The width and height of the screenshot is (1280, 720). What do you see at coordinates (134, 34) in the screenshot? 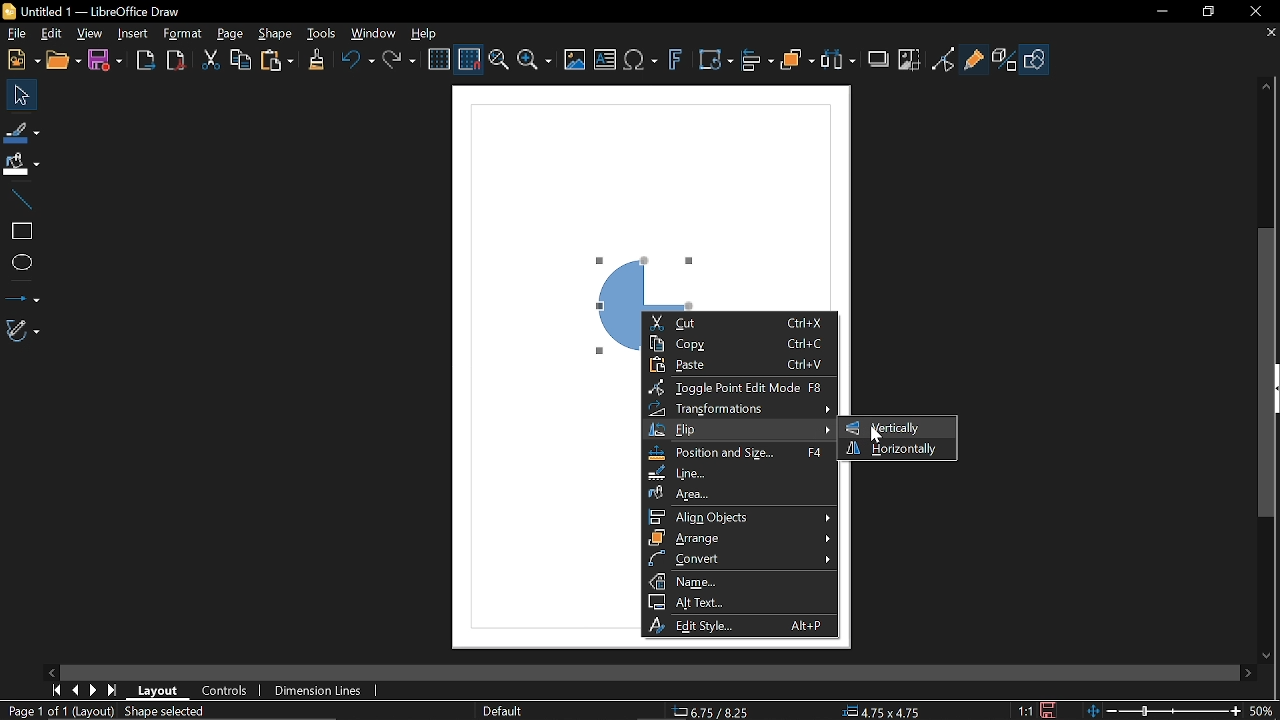
I see `Insert` at bounding box center [134, 34].